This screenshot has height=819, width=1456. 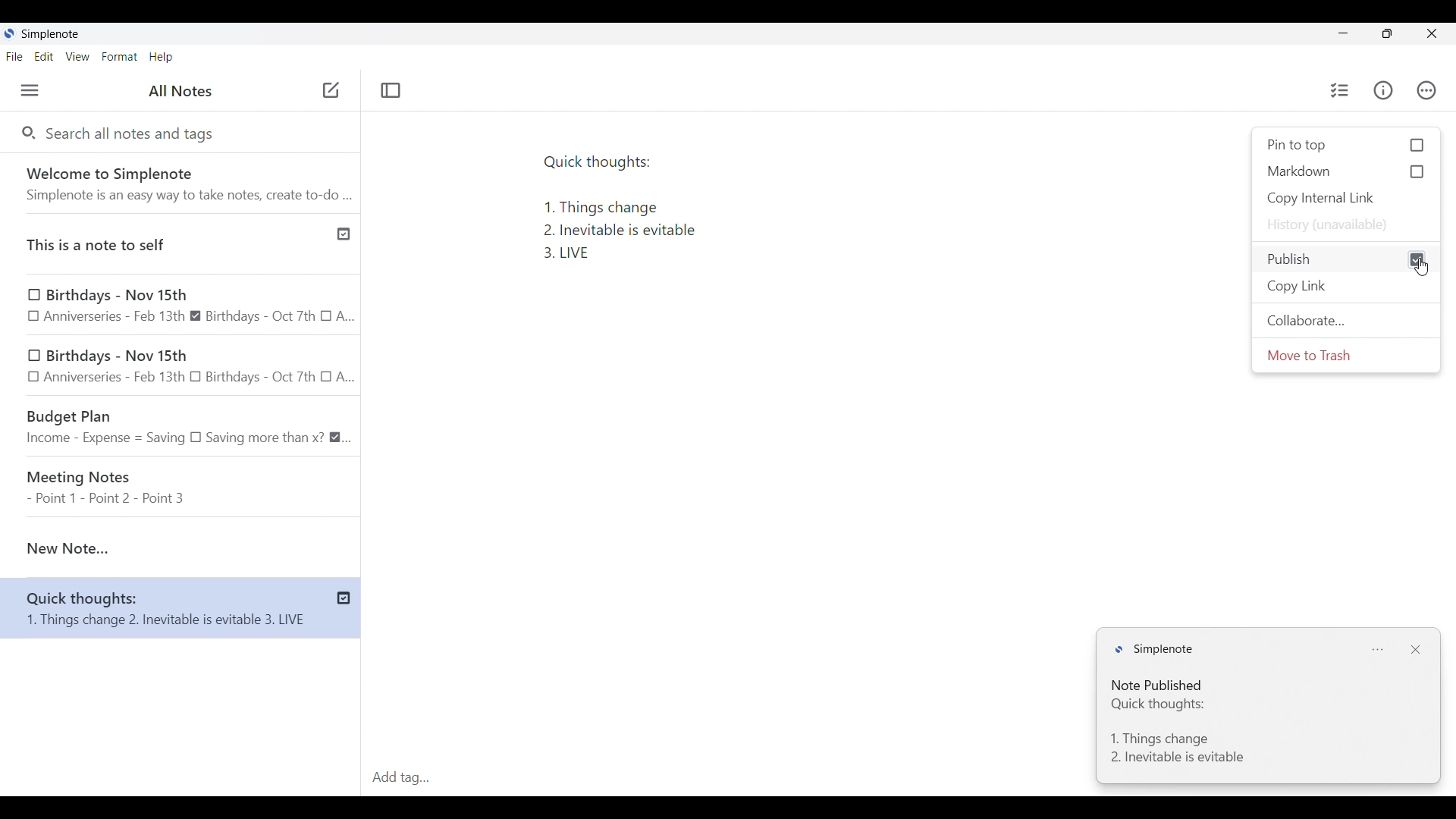 What do you see at coordinates (132, 135) in the screenshot?
I see `Search all notes and tags` at bounding box center [132, 135].